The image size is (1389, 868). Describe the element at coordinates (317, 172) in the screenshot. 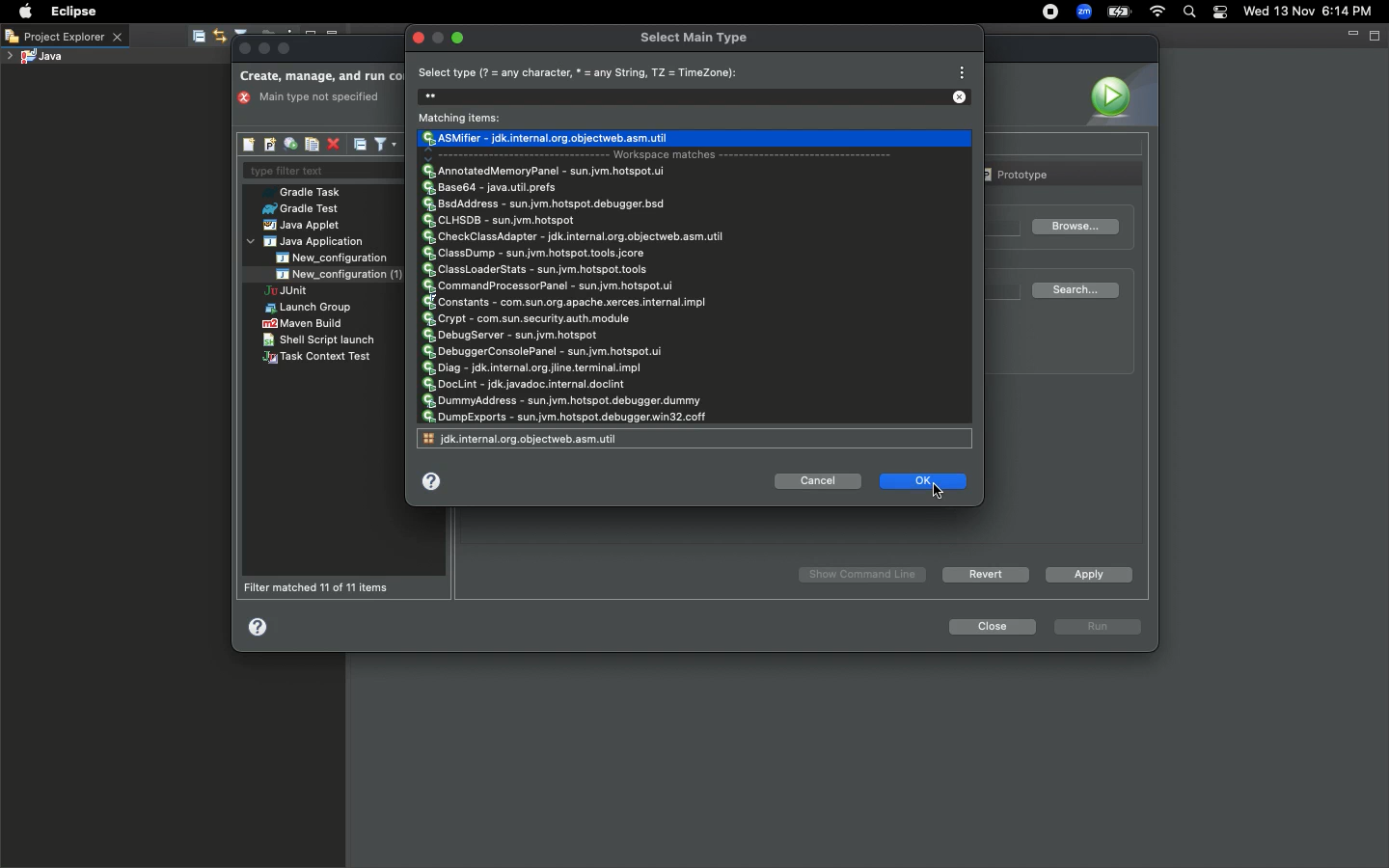

I see `Type filter text` at that location.